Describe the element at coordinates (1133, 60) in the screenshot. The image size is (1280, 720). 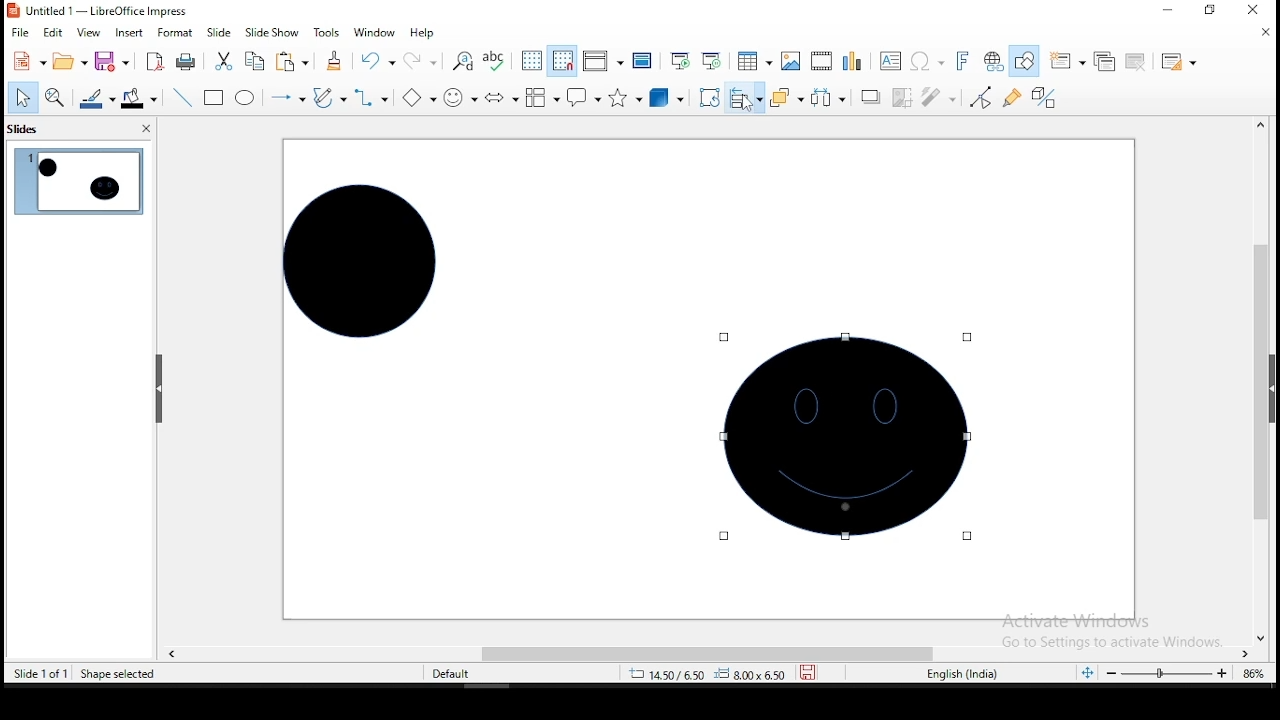
I see `delete slide` at that location.